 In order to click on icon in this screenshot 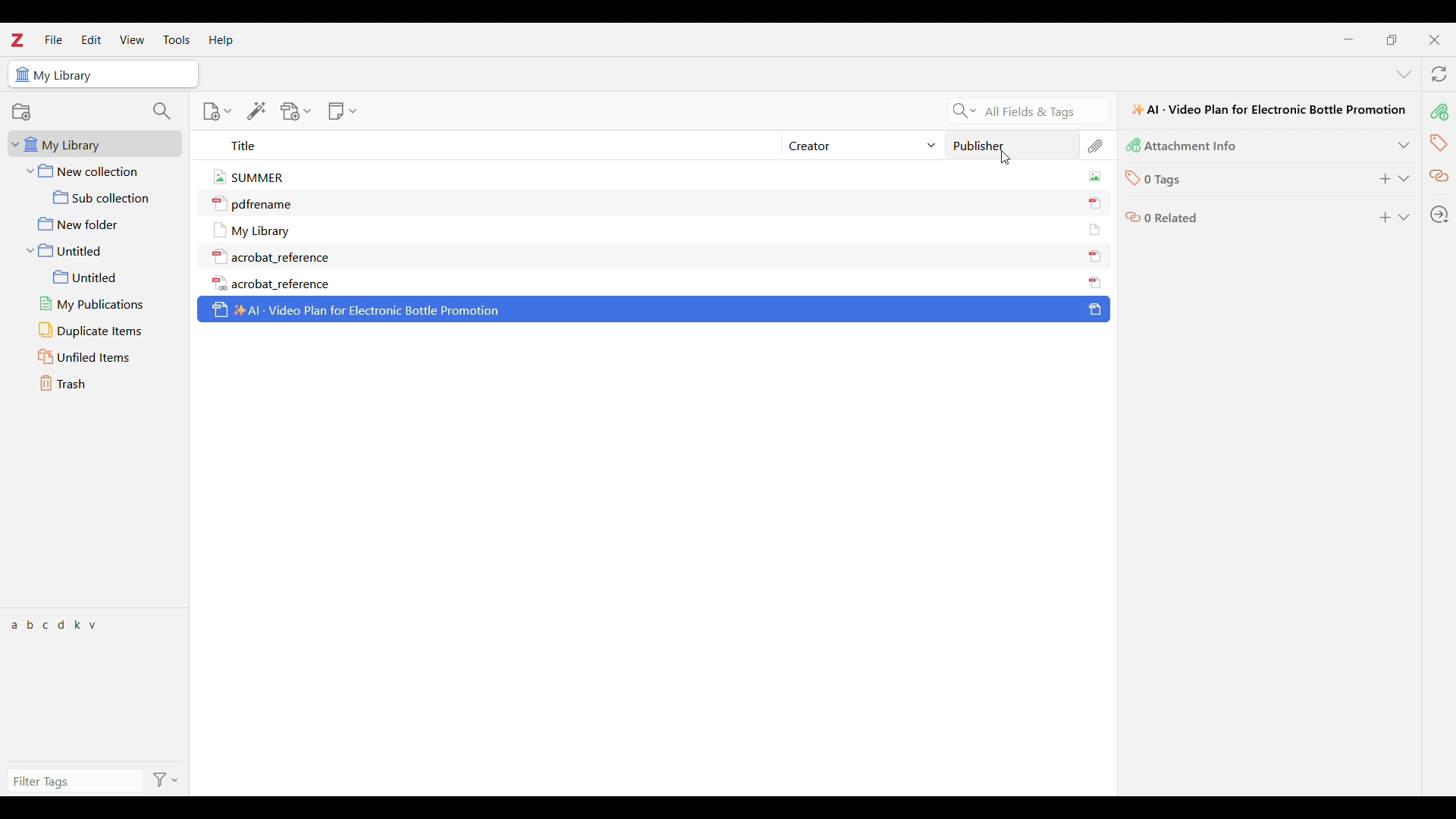, I will do `click(1094, 203)`.